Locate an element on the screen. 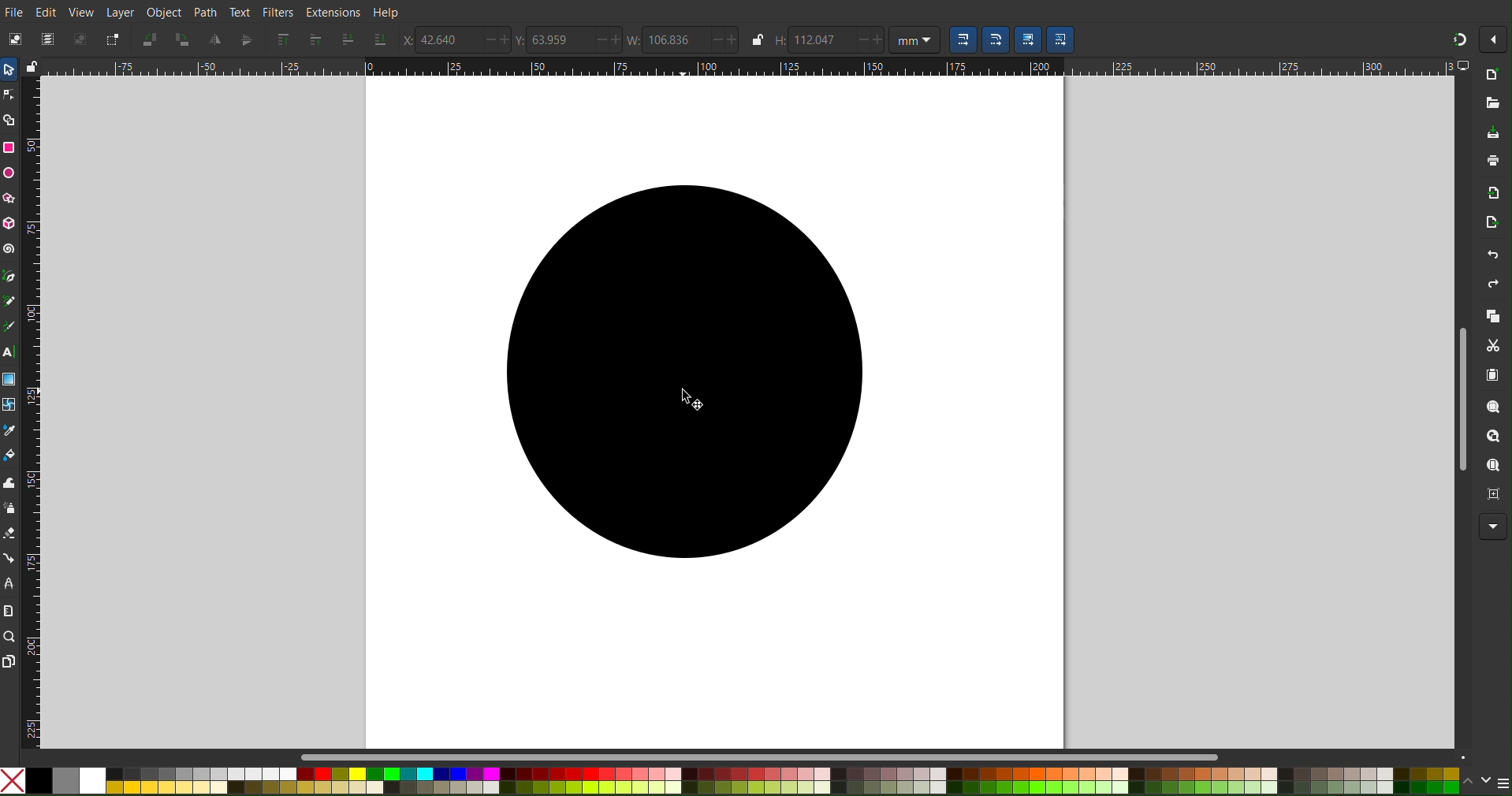 The height and width of the screenshot is (796, 1512). Save is located at coordinates (1492, 133).